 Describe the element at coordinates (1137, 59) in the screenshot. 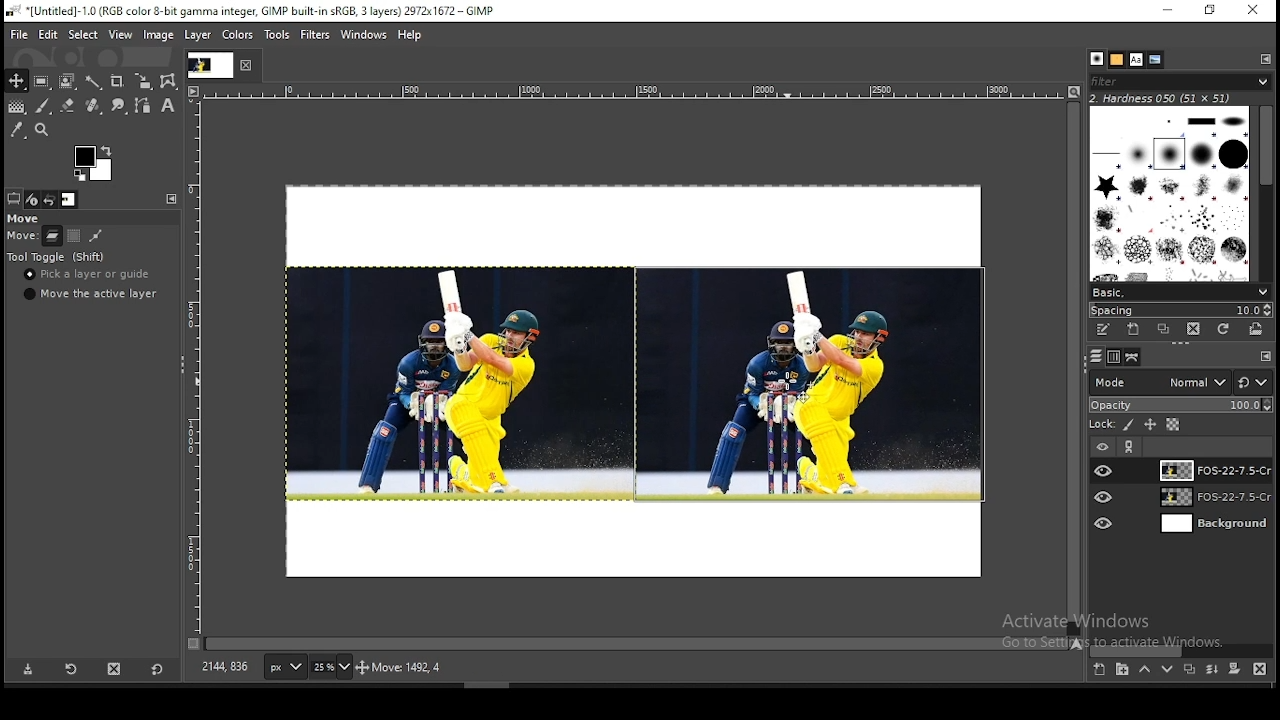

I see `fonts` at that location.